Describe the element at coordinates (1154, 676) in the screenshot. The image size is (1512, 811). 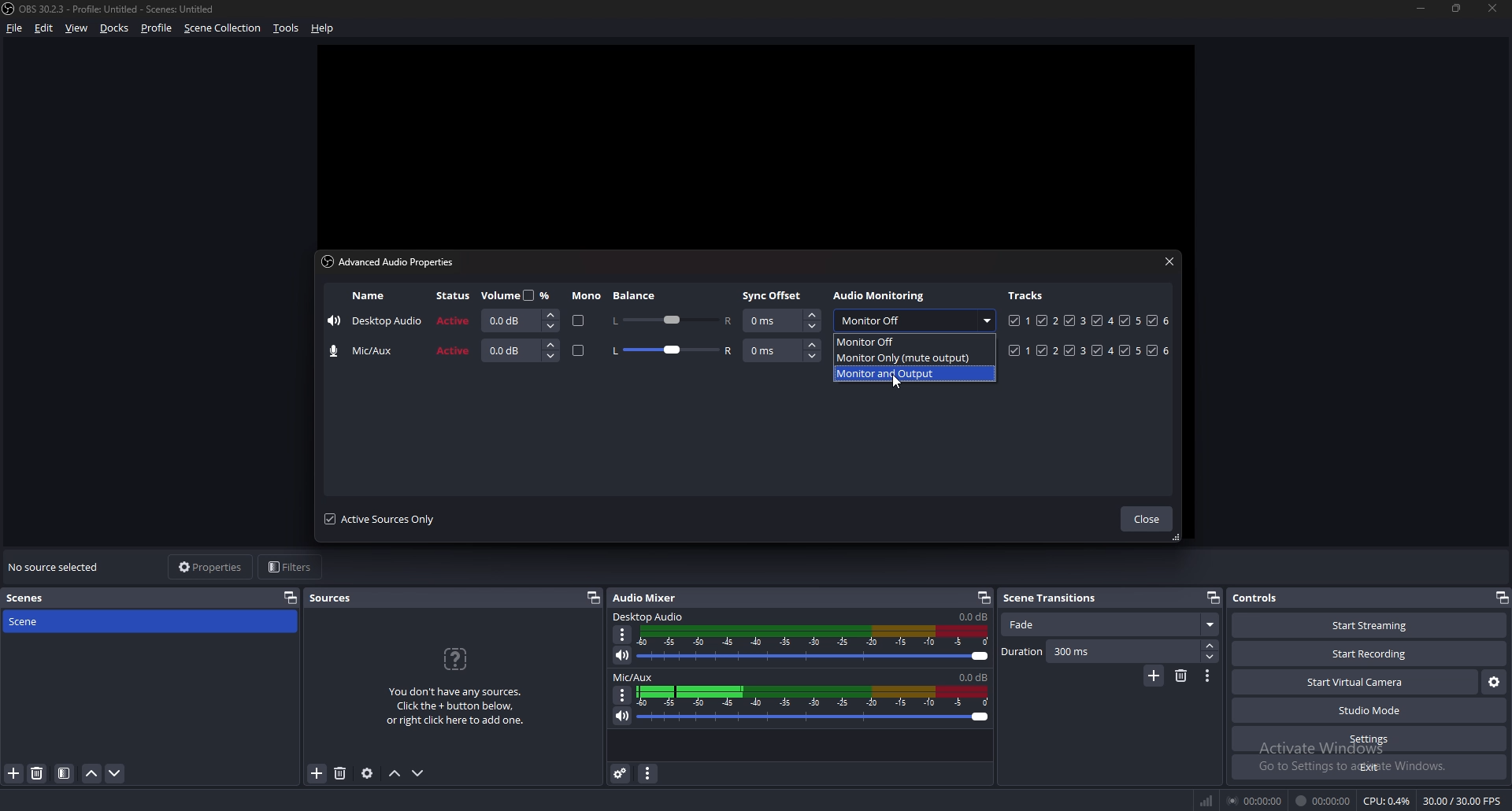
I see `add scene` at that location.